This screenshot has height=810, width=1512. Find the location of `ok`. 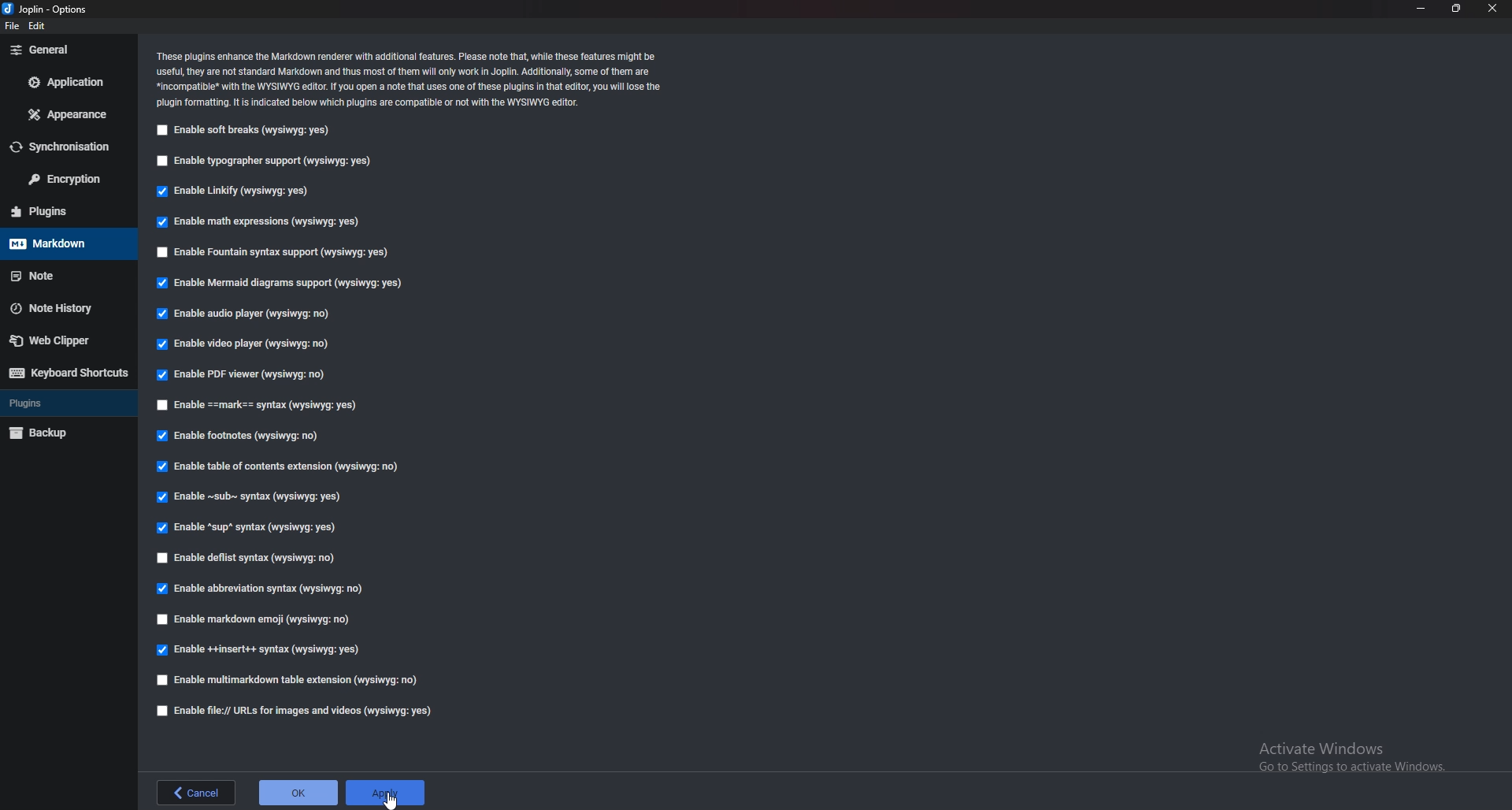

ok is located at coordinates (298, 793).